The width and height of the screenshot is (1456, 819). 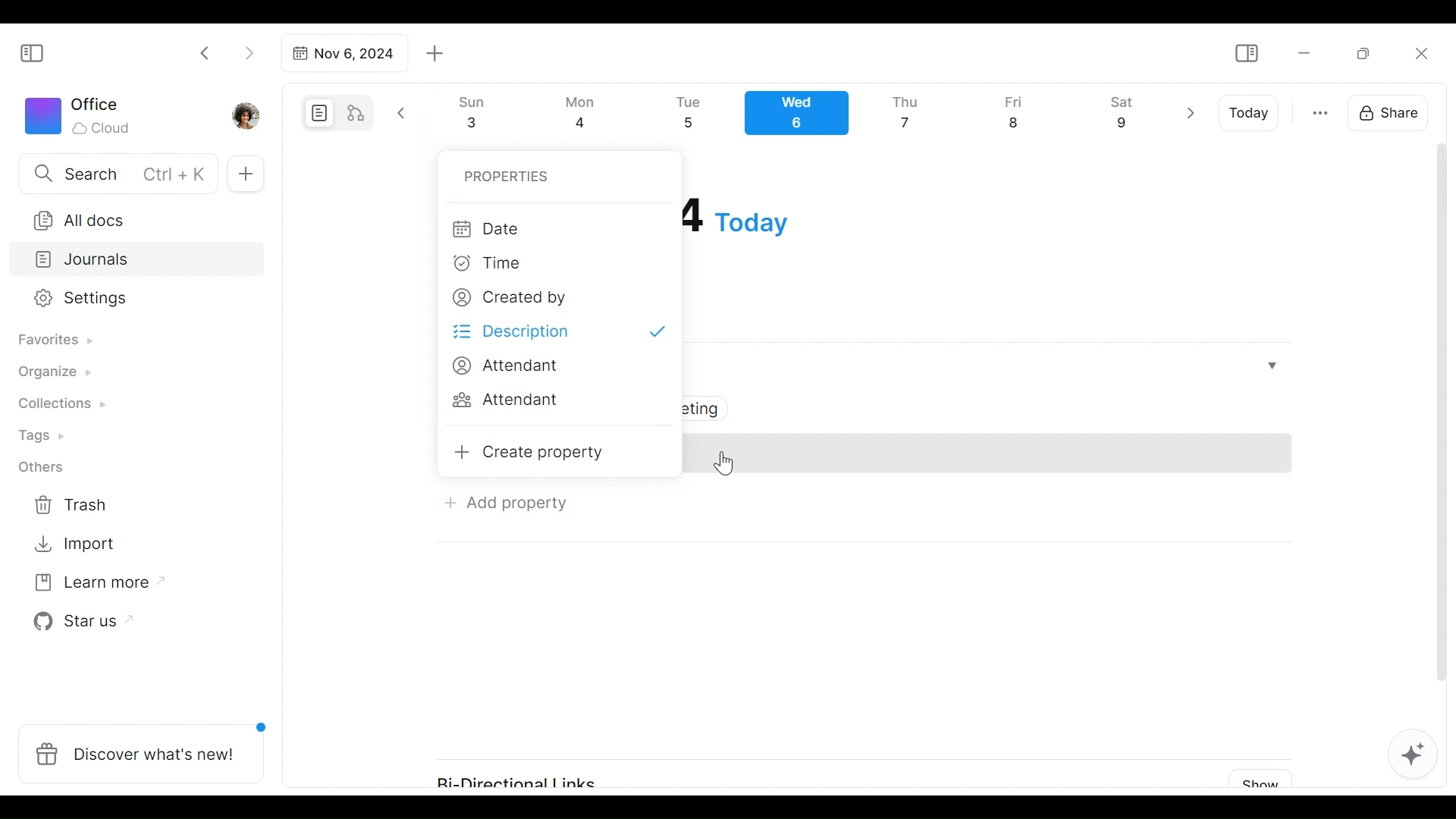 I want to click on Profile photo, so click(x=247, y=112).